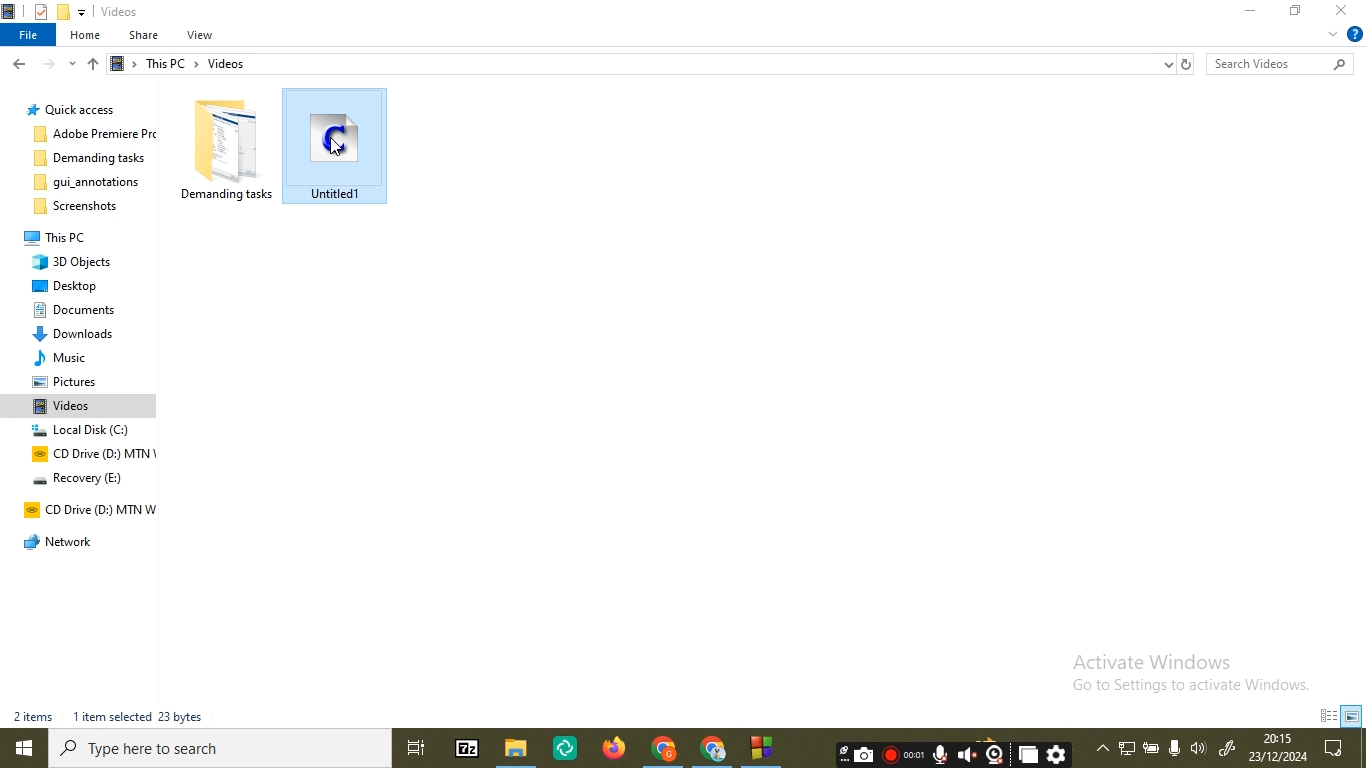 This screenshot has width=1366, height=768. What do you see at coordinates (81, 512) in the screenshot?
I see `folder` at bounding box center [81, 512].